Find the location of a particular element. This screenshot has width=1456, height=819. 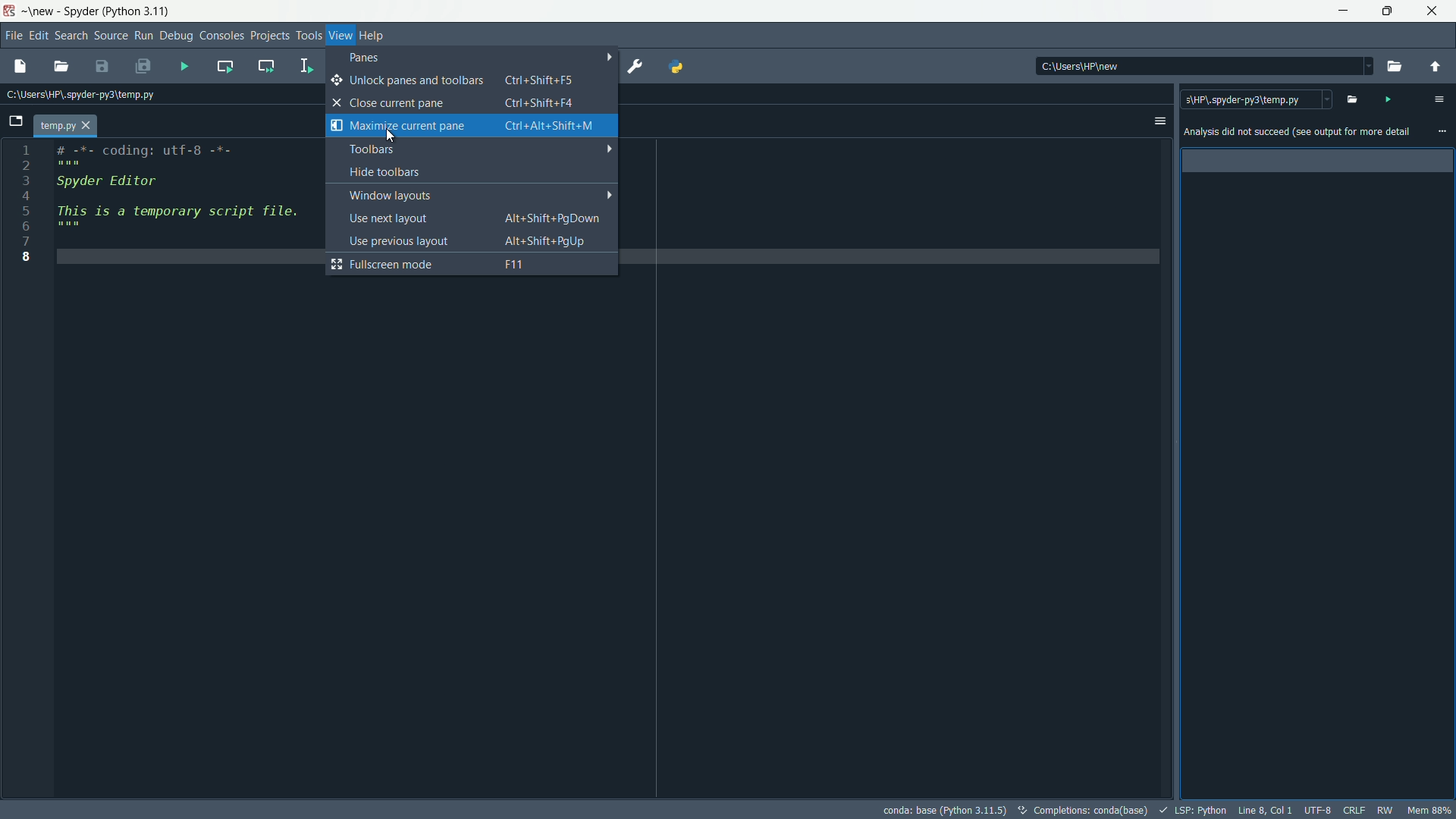

save all files is located at coordinates (143, 66).